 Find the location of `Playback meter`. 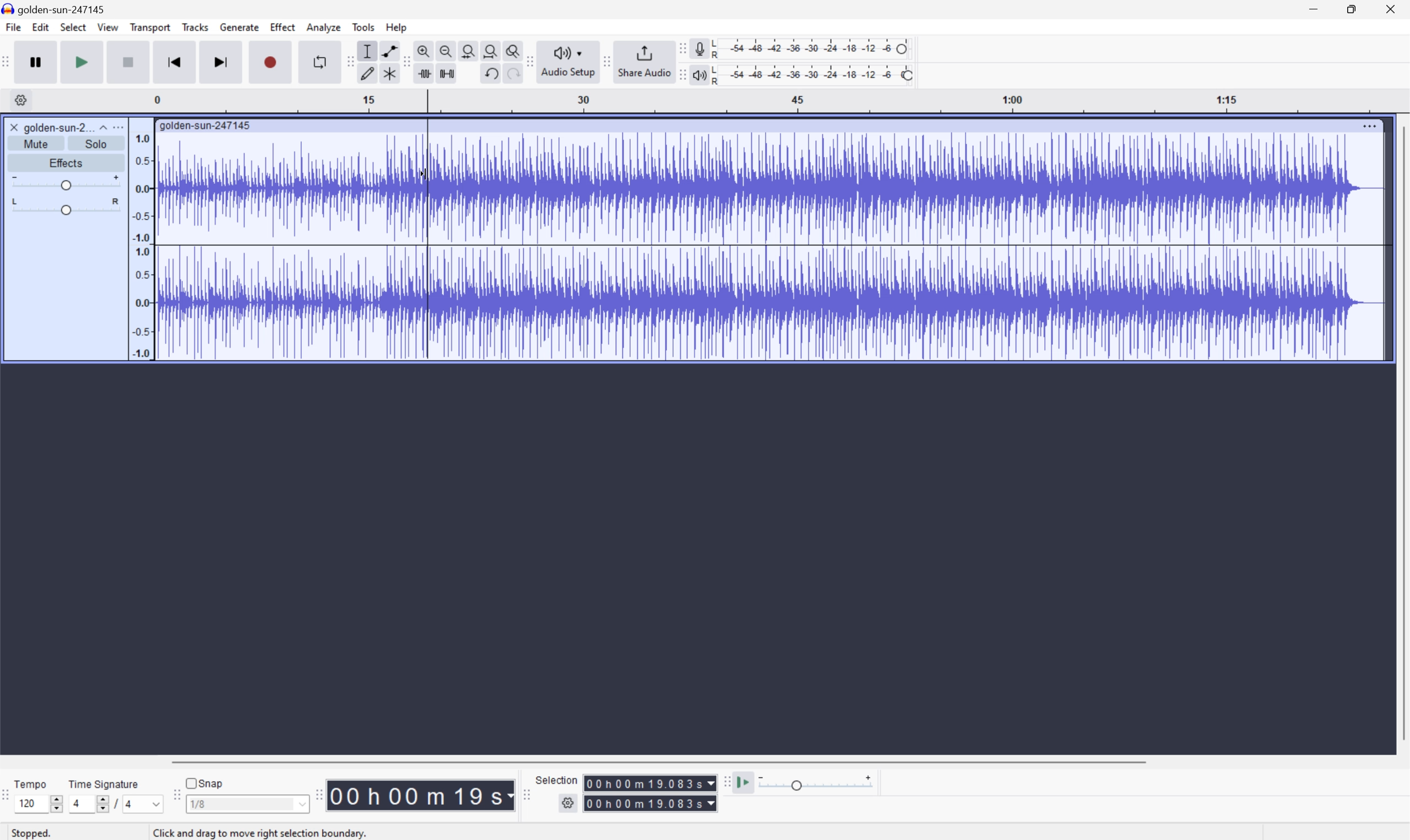

Playback meter is located at coordinates (697, 76).